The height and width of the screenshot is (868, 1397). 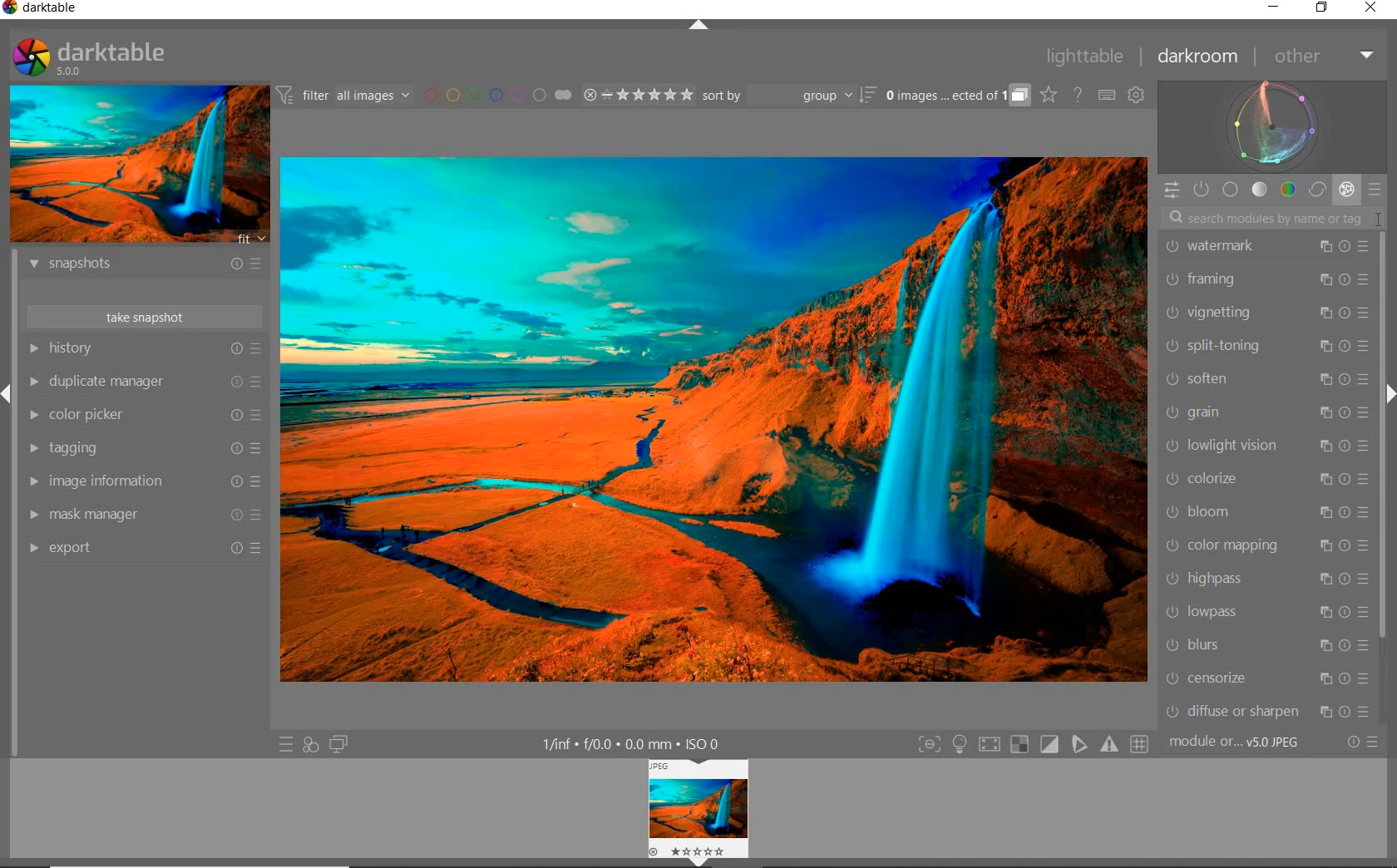 I want to click on EXPAND GROUPED IMAGES, so click(x=958, y=96).